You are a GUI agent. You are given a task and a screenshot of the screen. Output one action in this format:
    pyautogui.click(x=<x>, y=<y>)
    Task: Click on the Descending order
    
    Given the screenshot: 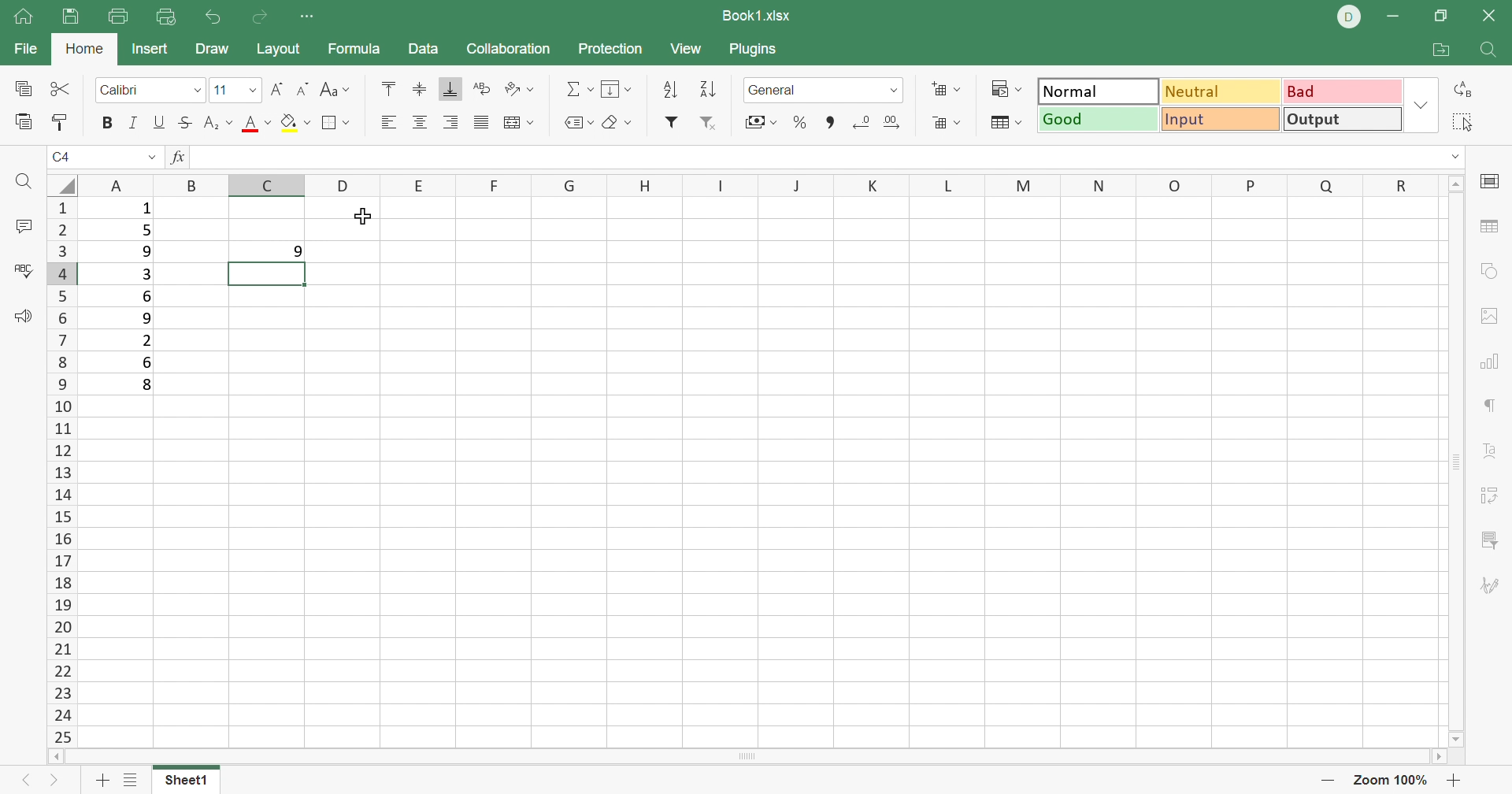 What is the action you would take?
    pyautogui.click(x=707, y=89)
    